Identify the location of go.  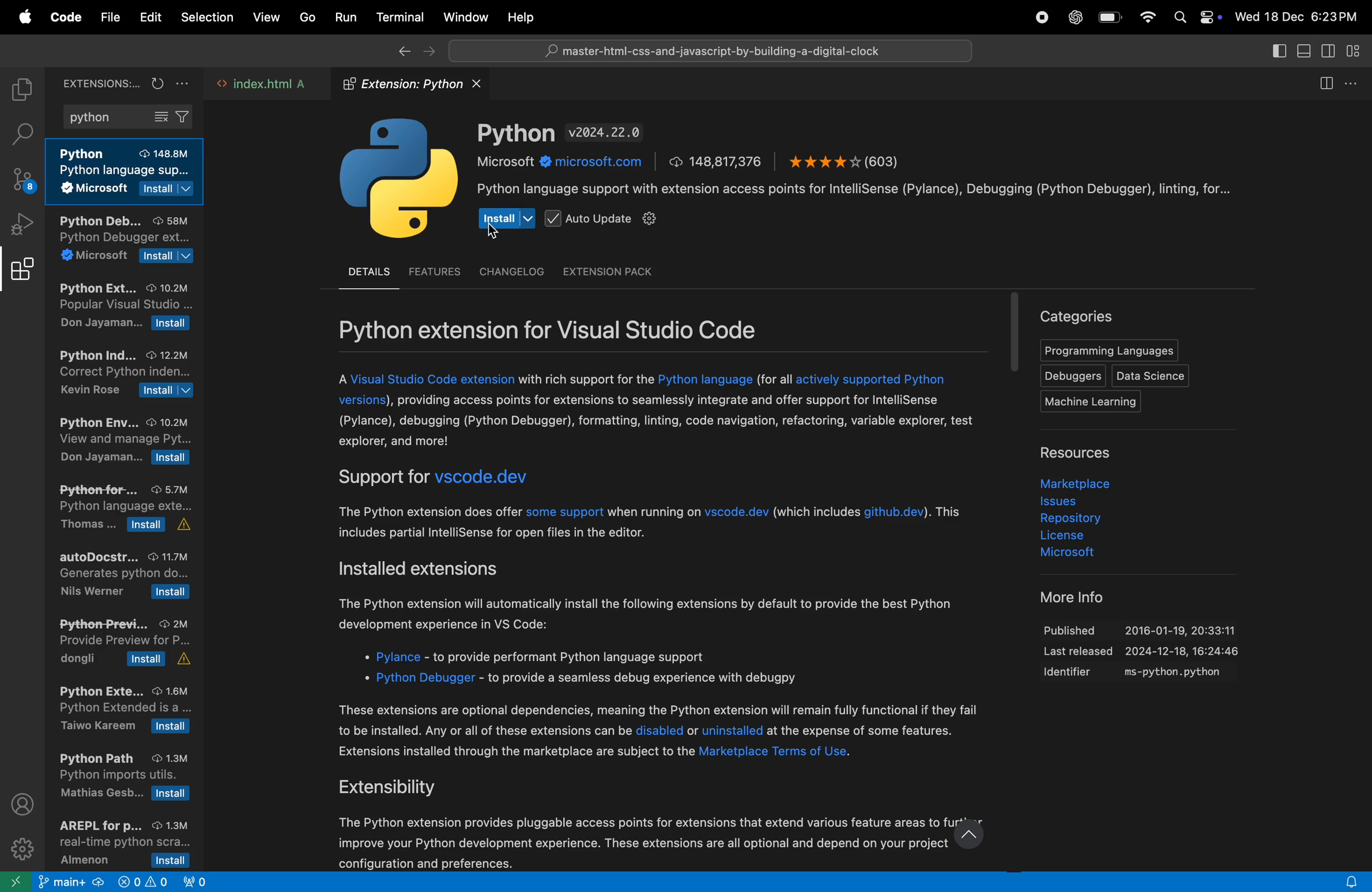
(305, 18).